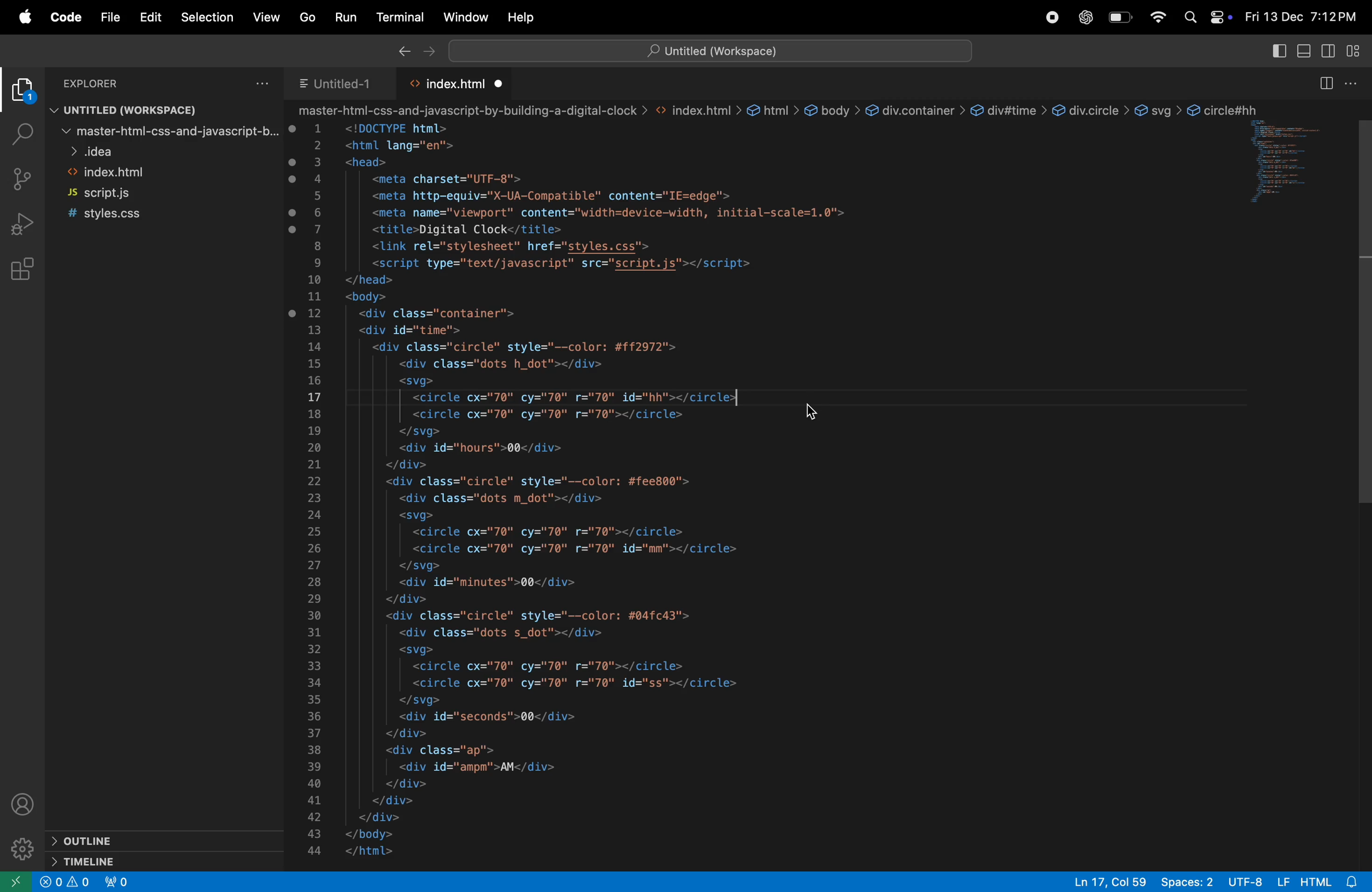 This screenshot has height=892, width=1372. Describe the element at coordinates (27, 807) in the screenshot. I see `profile` at that location.